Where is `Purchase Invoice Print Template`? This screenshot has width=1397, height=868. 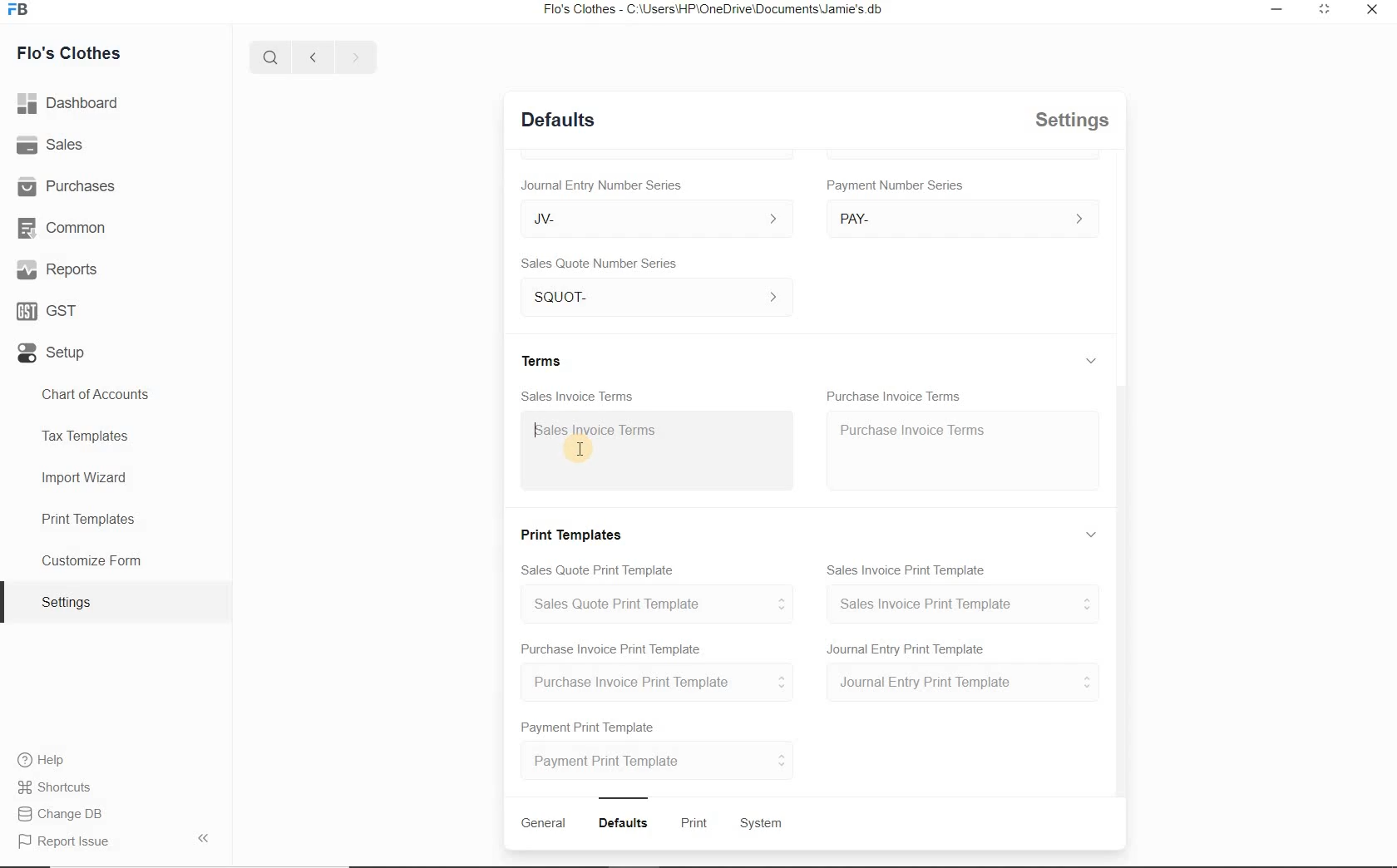
Purchase Invoice Print Template is located at coordinates (610, 648).